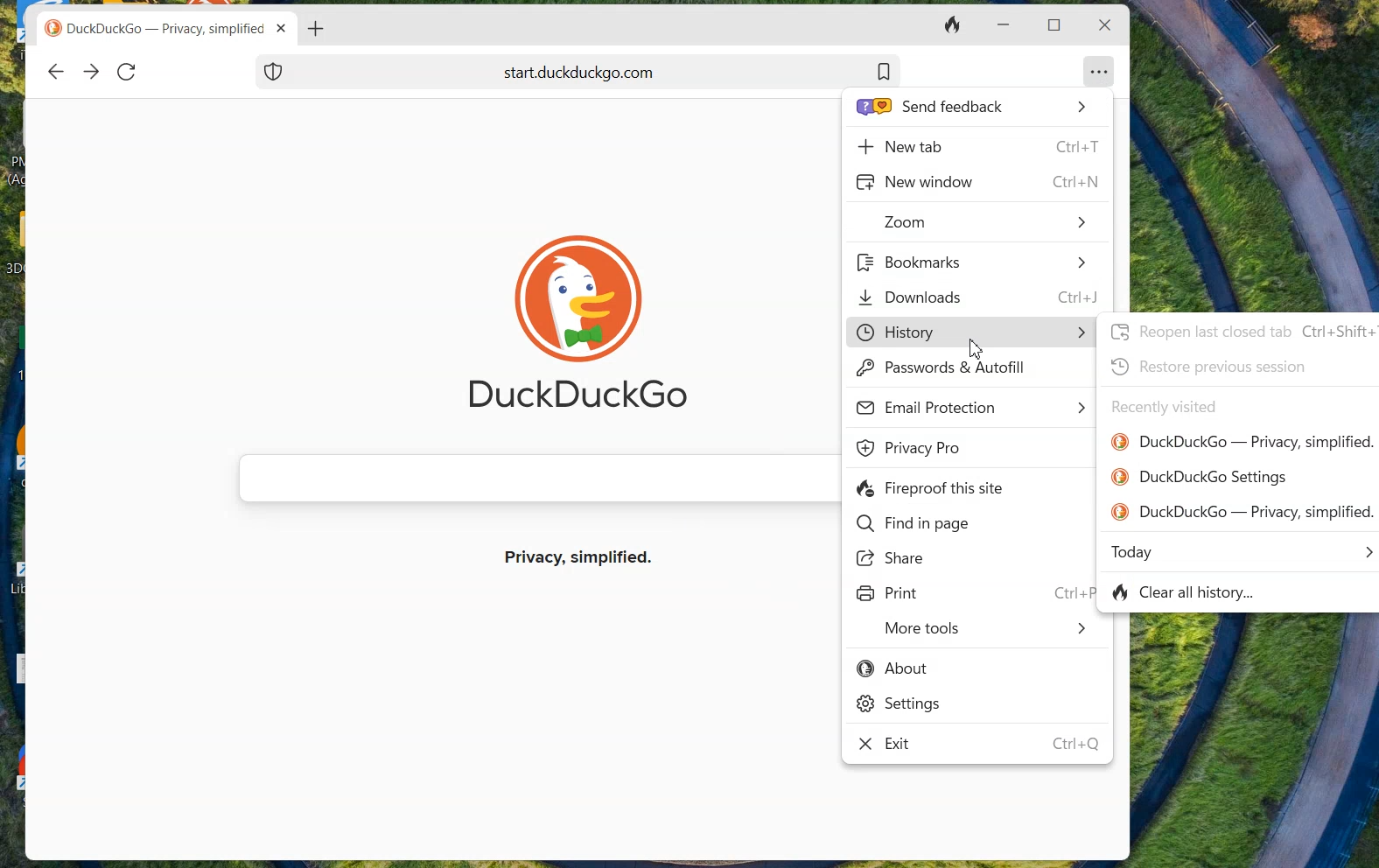  Describe the element at coordinates (970, 108) in the screenshot. I see `Send feedback` at that location.